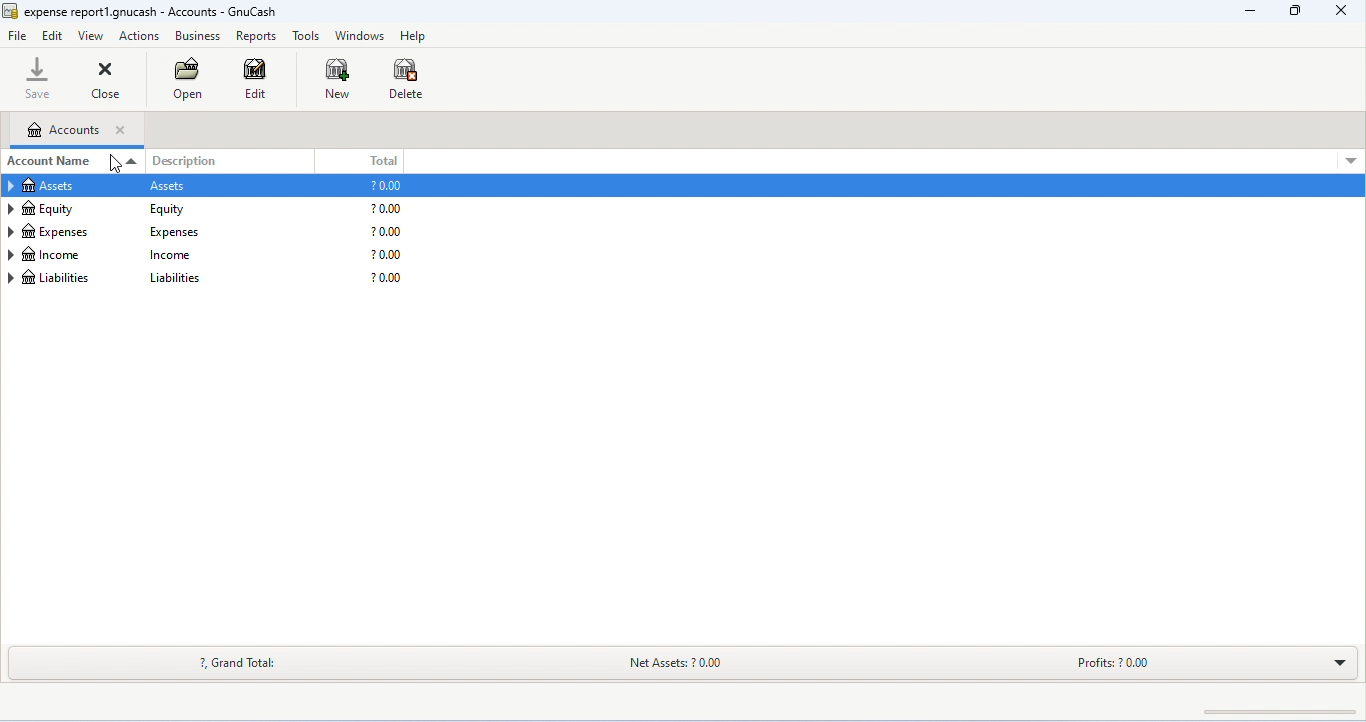  I want to click on open, so click(190, 79).